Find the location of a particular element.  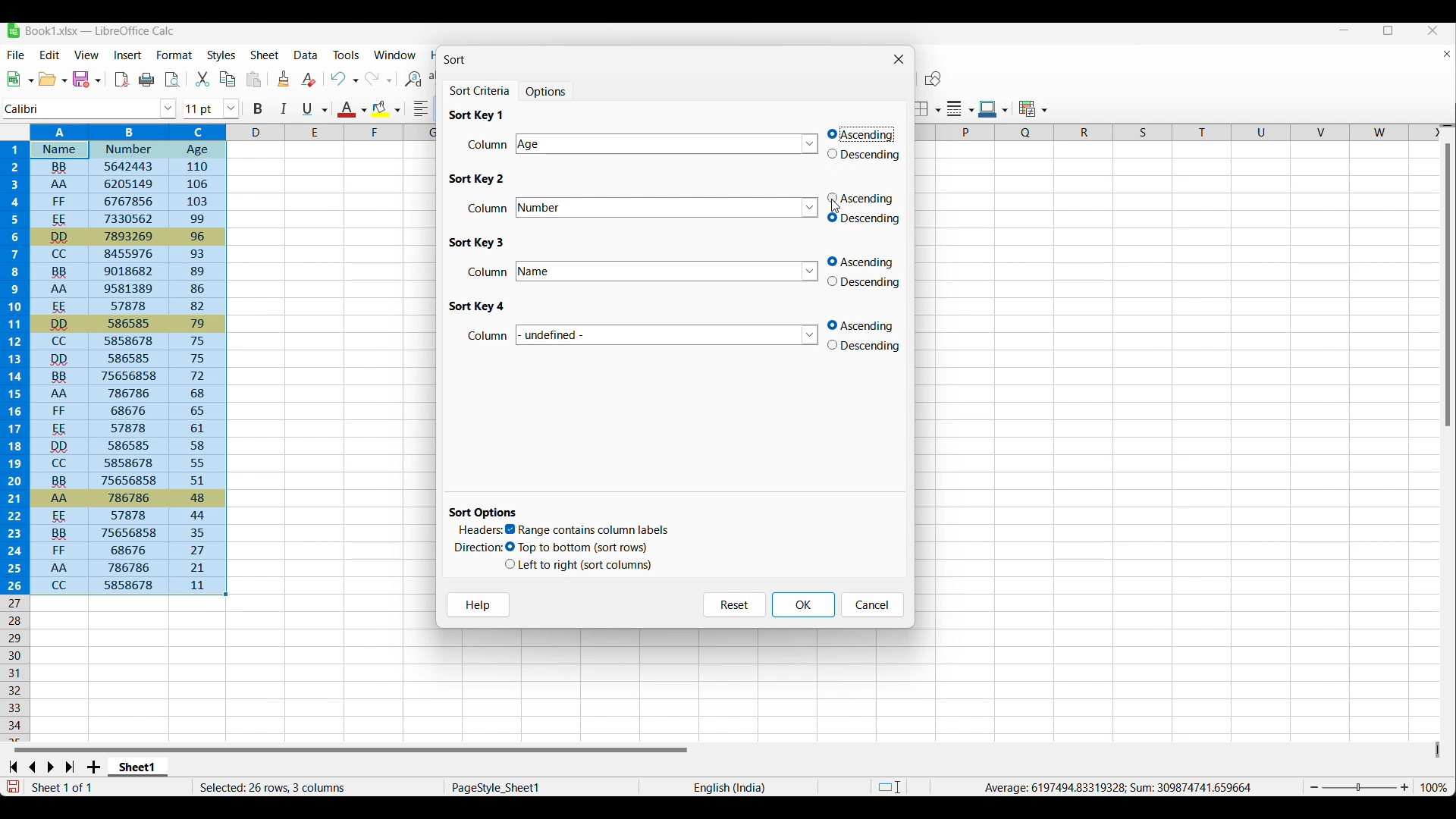

Go to previous sheet is located at coordinates (32, 767).